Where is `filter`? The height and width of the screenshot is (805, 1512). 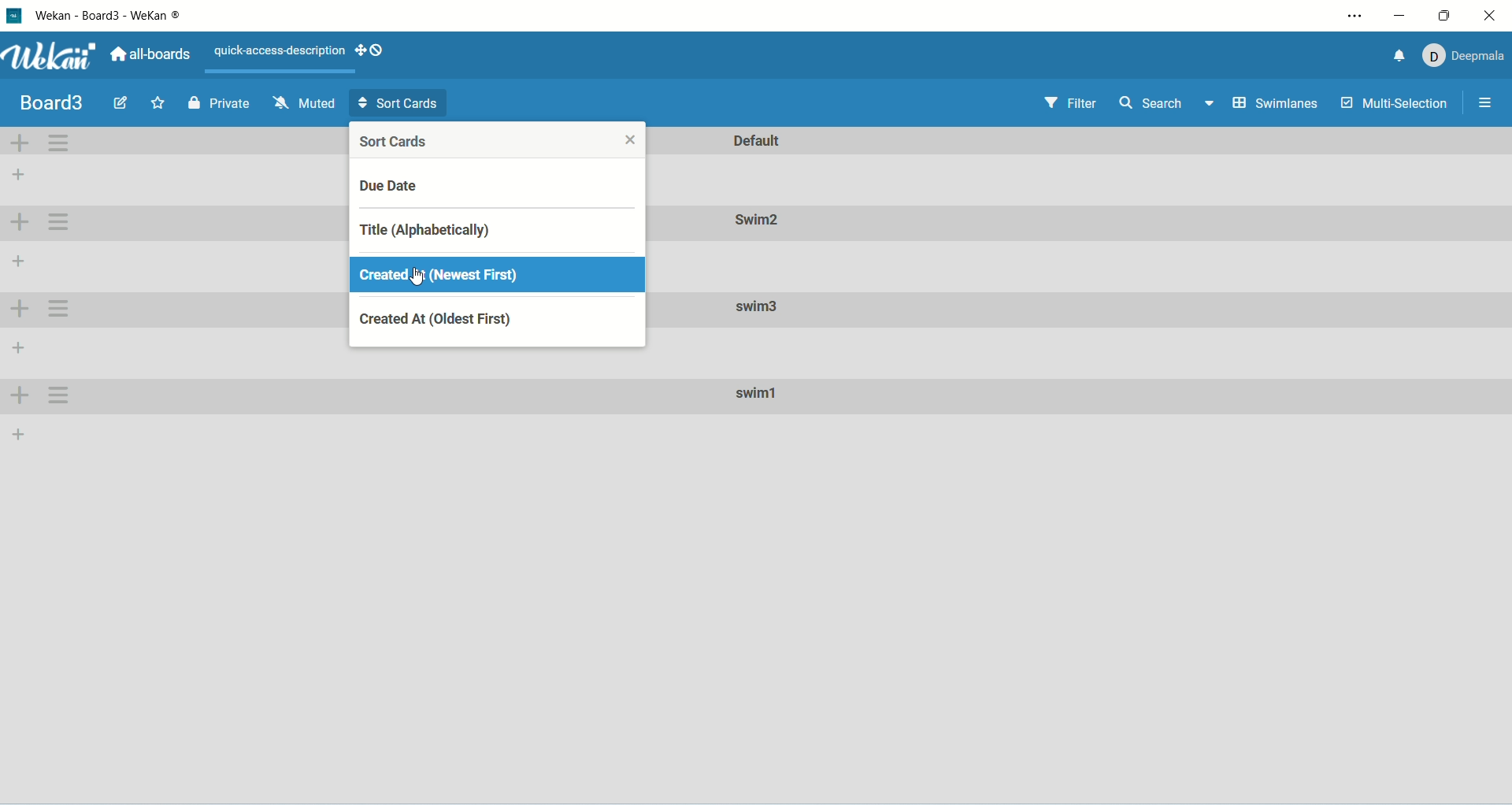
filter is located at coordinates (1072, 106).